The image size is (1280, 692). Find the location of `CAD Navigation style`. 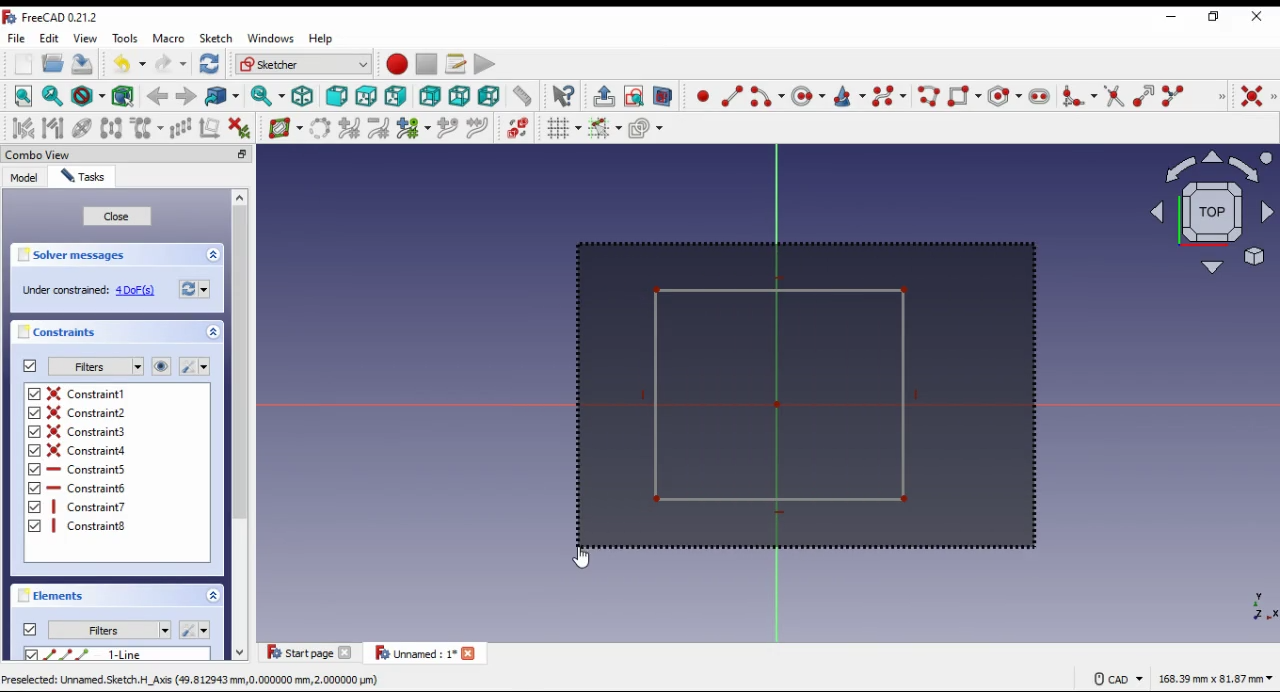

CAD Navigation style is located at coordinates (1117, 679).